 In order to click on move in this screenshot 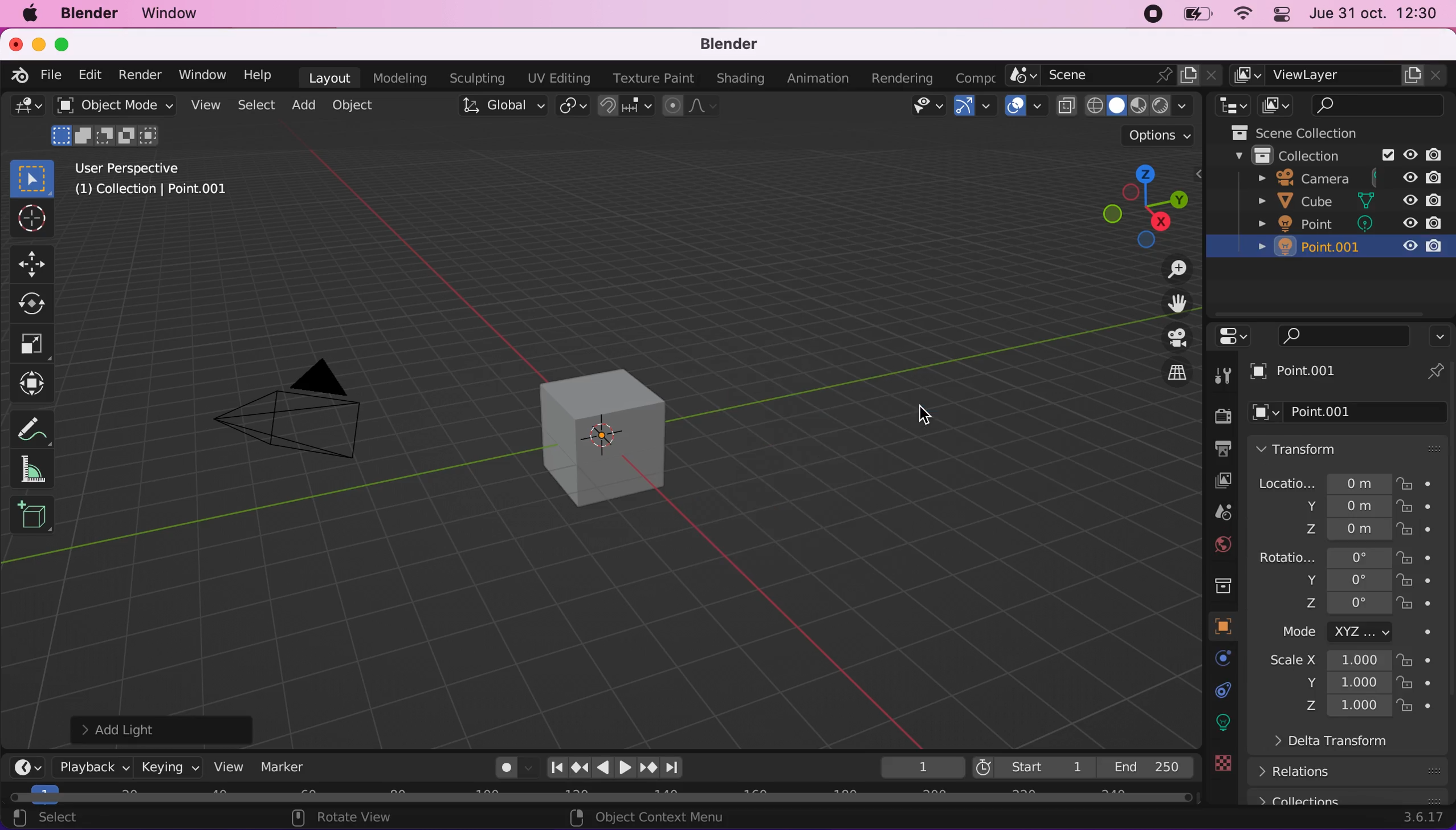, I will do `click(32, 262)`.